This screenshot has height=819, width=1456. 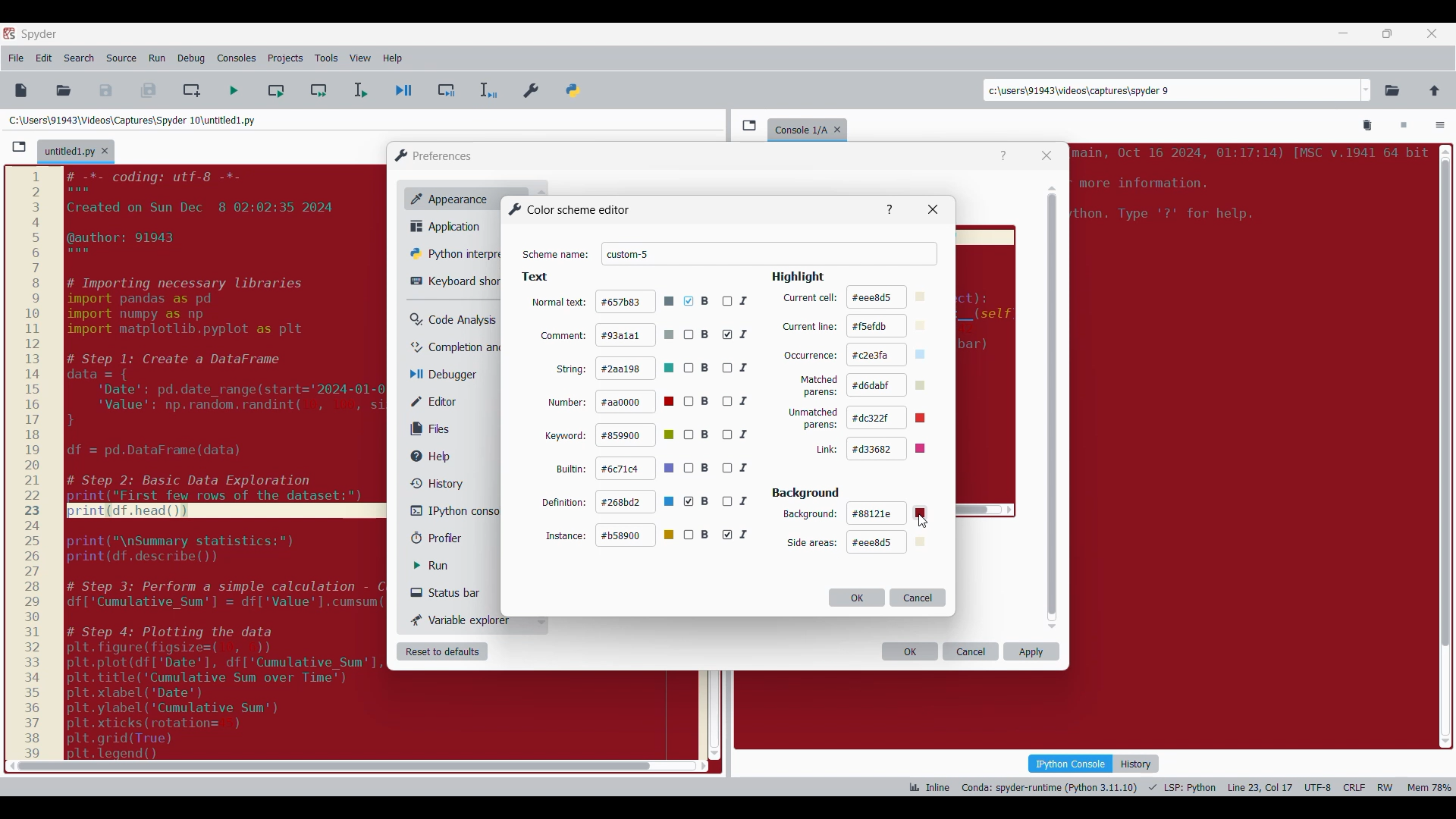 What do you see at coordinates (227, 461) in the screenshot?
I see `code` at bounding box center [227, 461].